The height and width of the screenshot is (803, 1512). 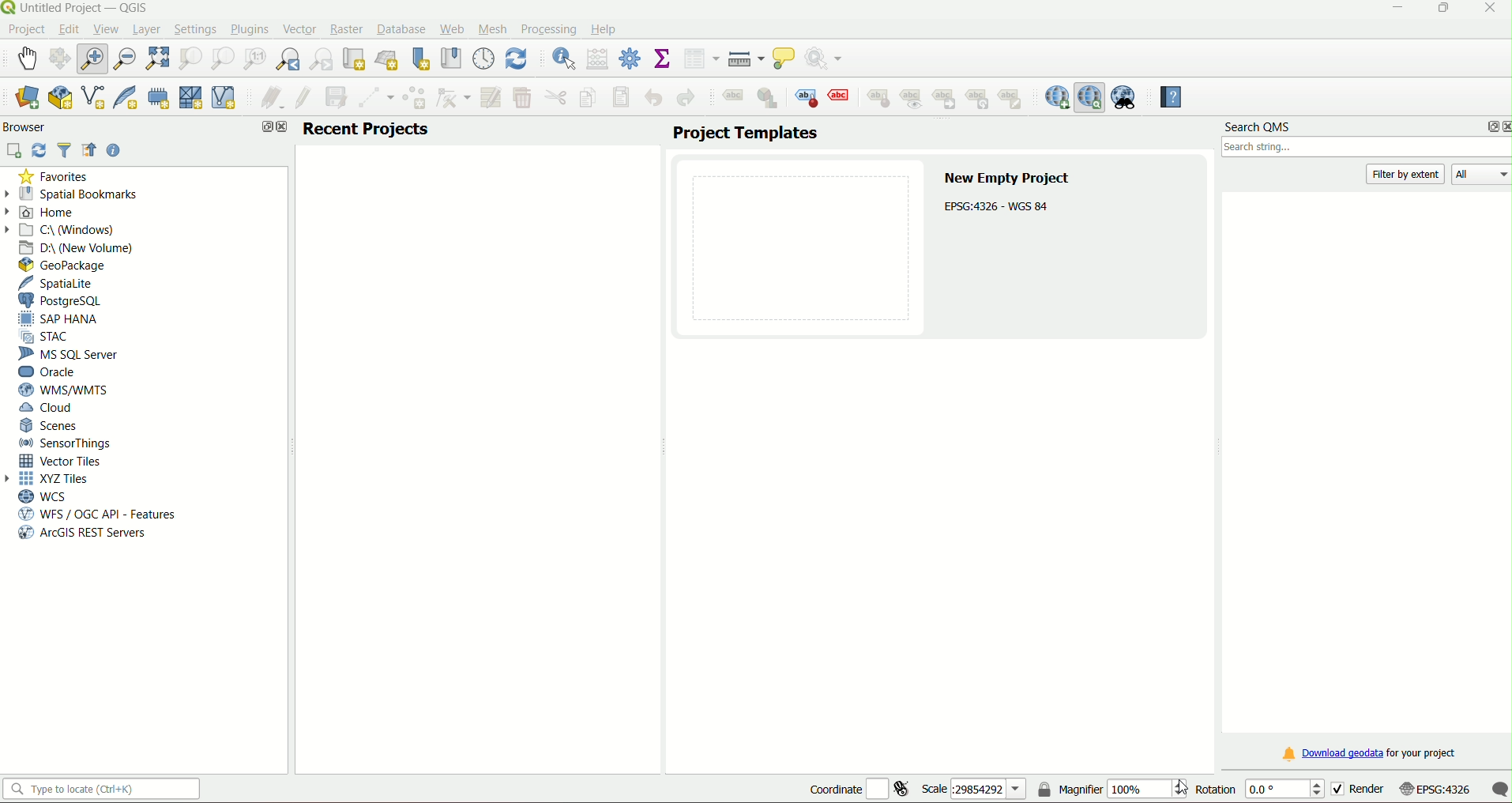 What do you see at coordinates (248, 30) in the screenshot?
I see `Plugins` at bounding box center [248, 30].